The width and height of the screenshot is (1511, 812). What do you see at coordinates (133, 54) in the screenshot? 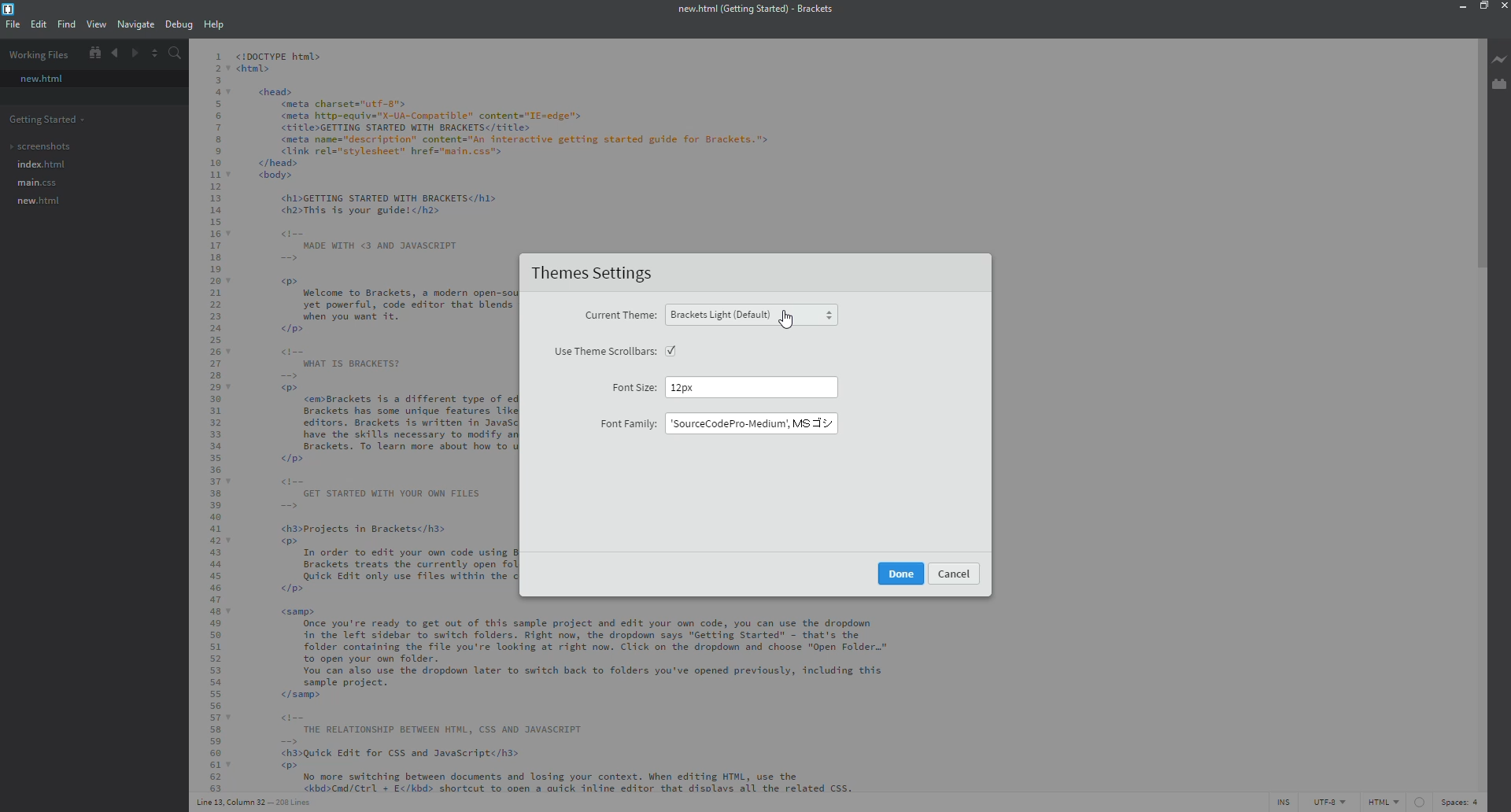
I see `forward` at bounding box center [133, 54].